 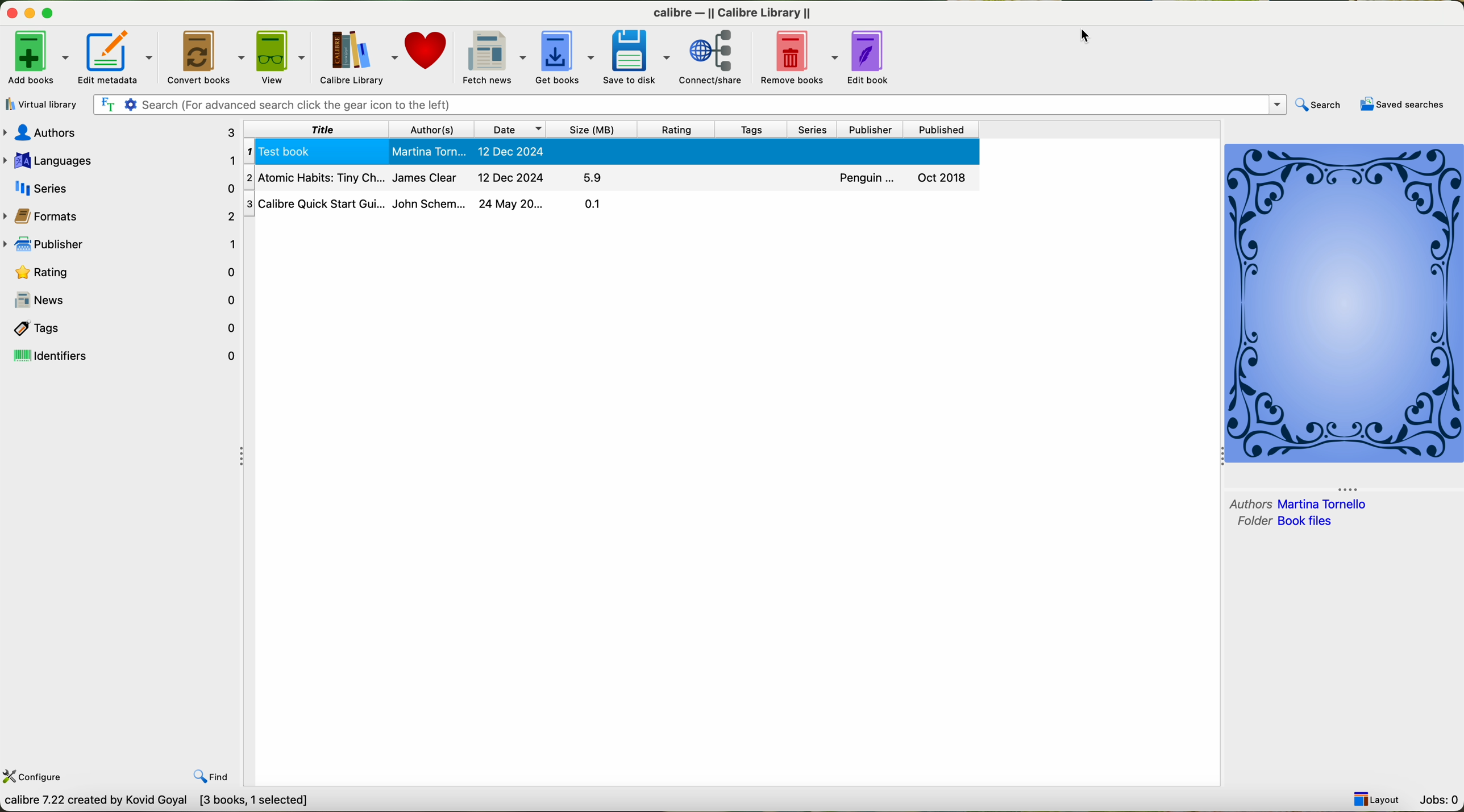 What do you see at coordinates (1376, 800) in the screenshot?
I see `Layout` at bounding box center [1376, 800].